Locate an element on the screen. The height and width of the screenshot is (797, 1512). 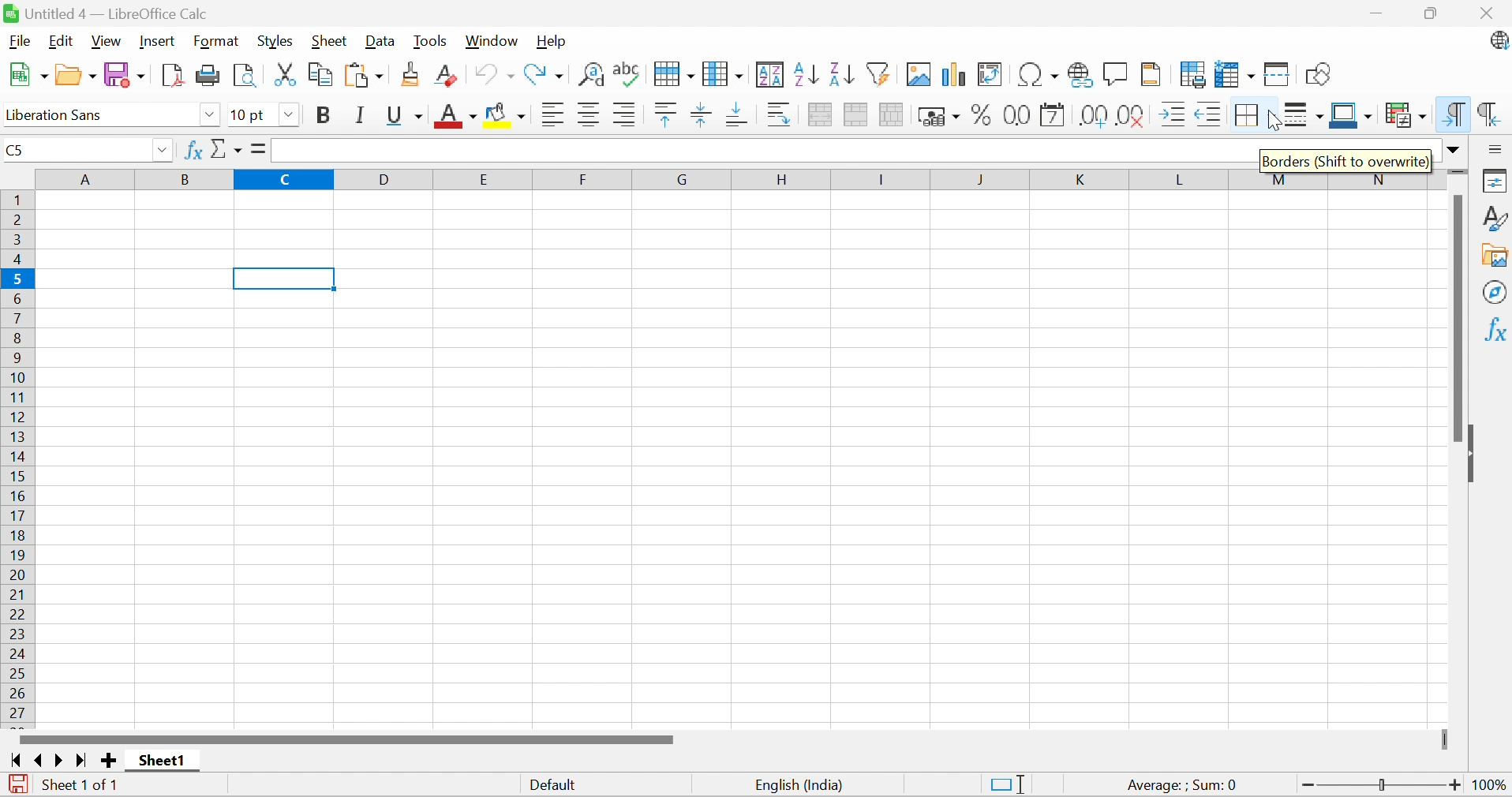
File is located at coordinates (20, 40).